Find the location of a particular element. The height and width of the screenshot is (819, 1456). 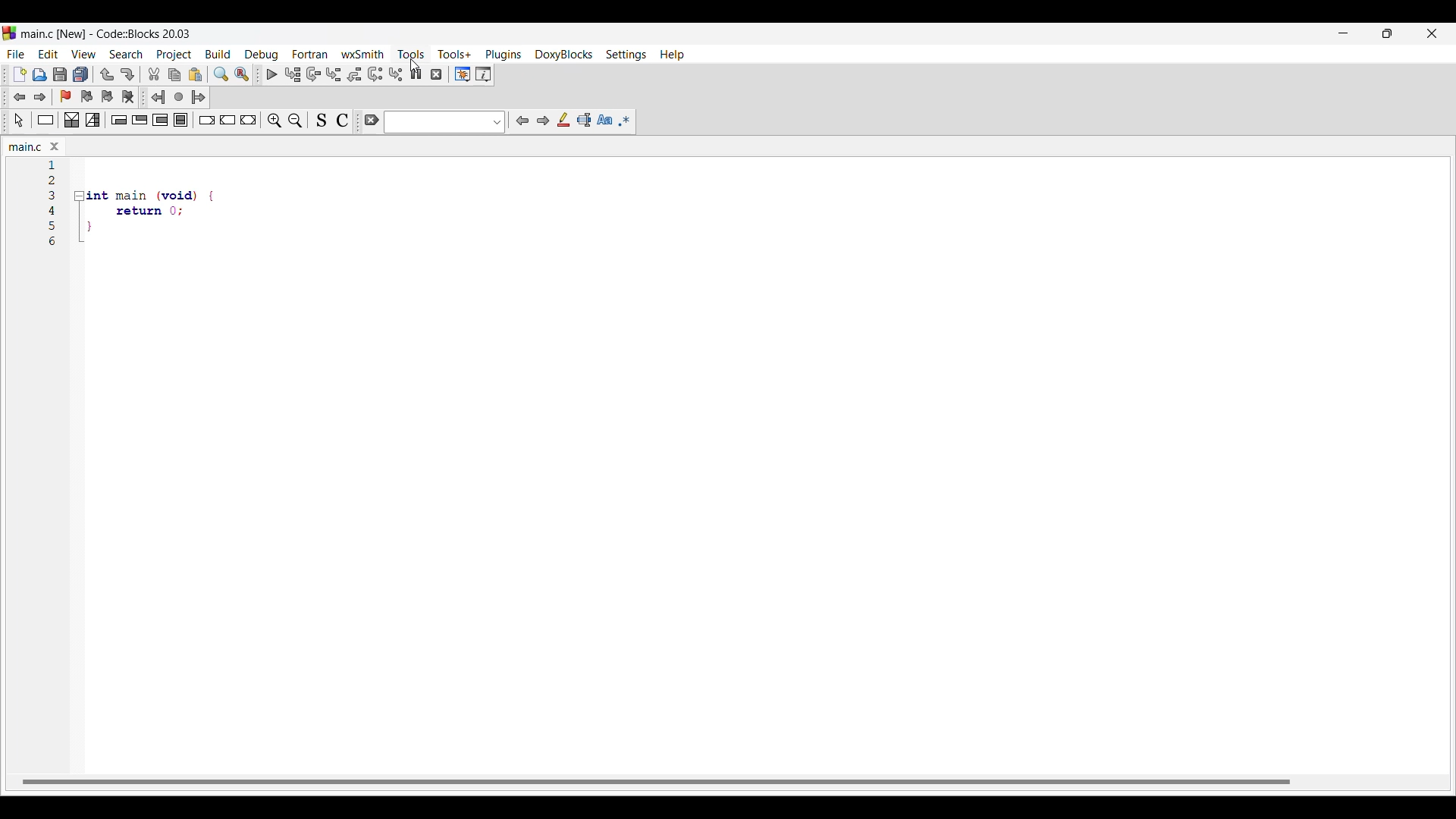

Debugging windows is located at coordinates (463, 74).